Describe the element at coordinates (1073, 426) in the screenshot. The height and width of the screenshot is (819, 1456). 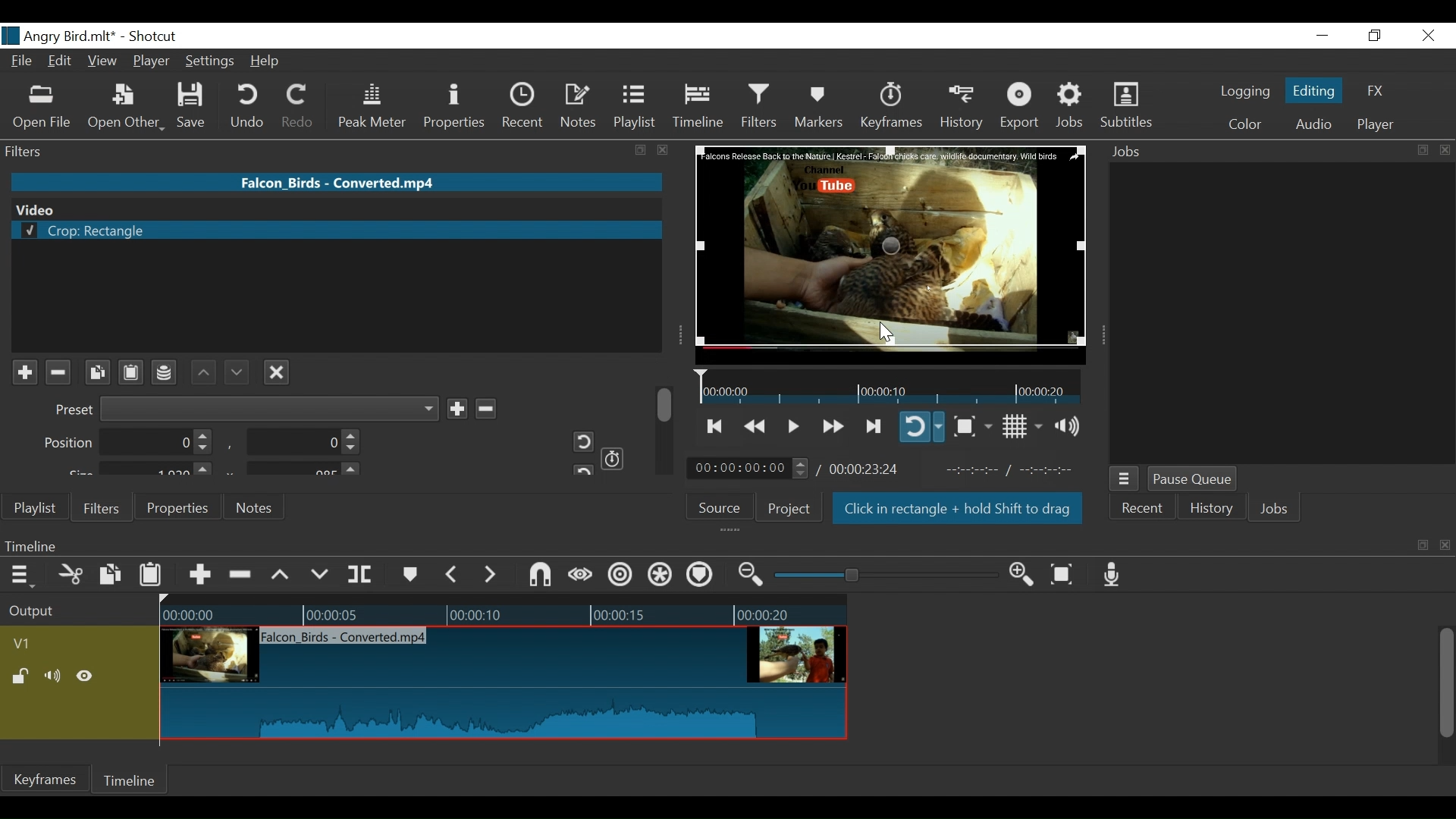
I see `Show volume control` at that location.